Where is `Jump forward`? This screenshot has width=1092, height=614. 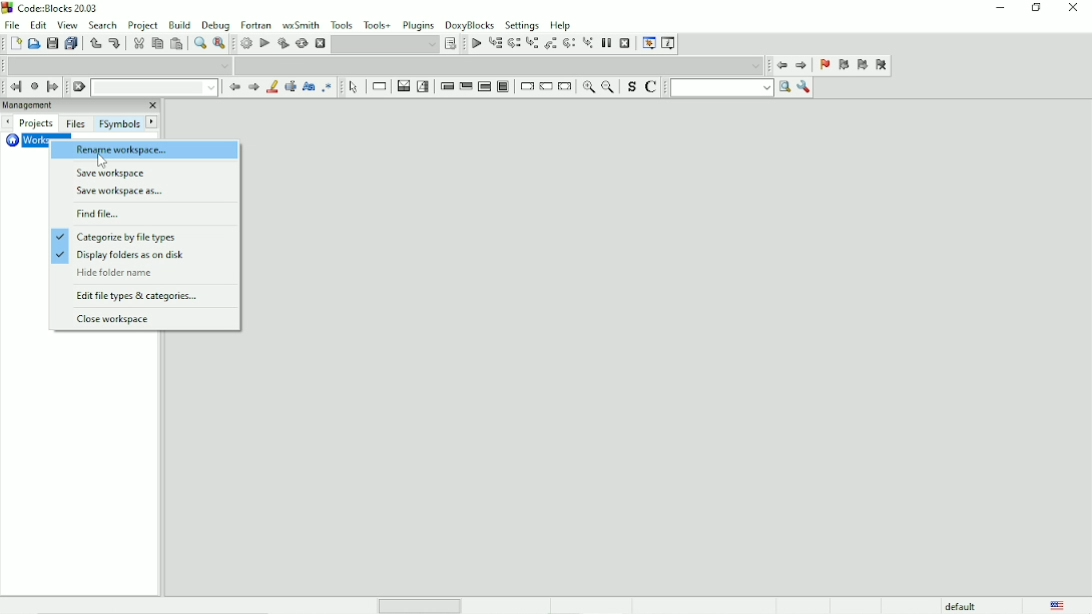 Jump forward is located at coordinates (802, 67).